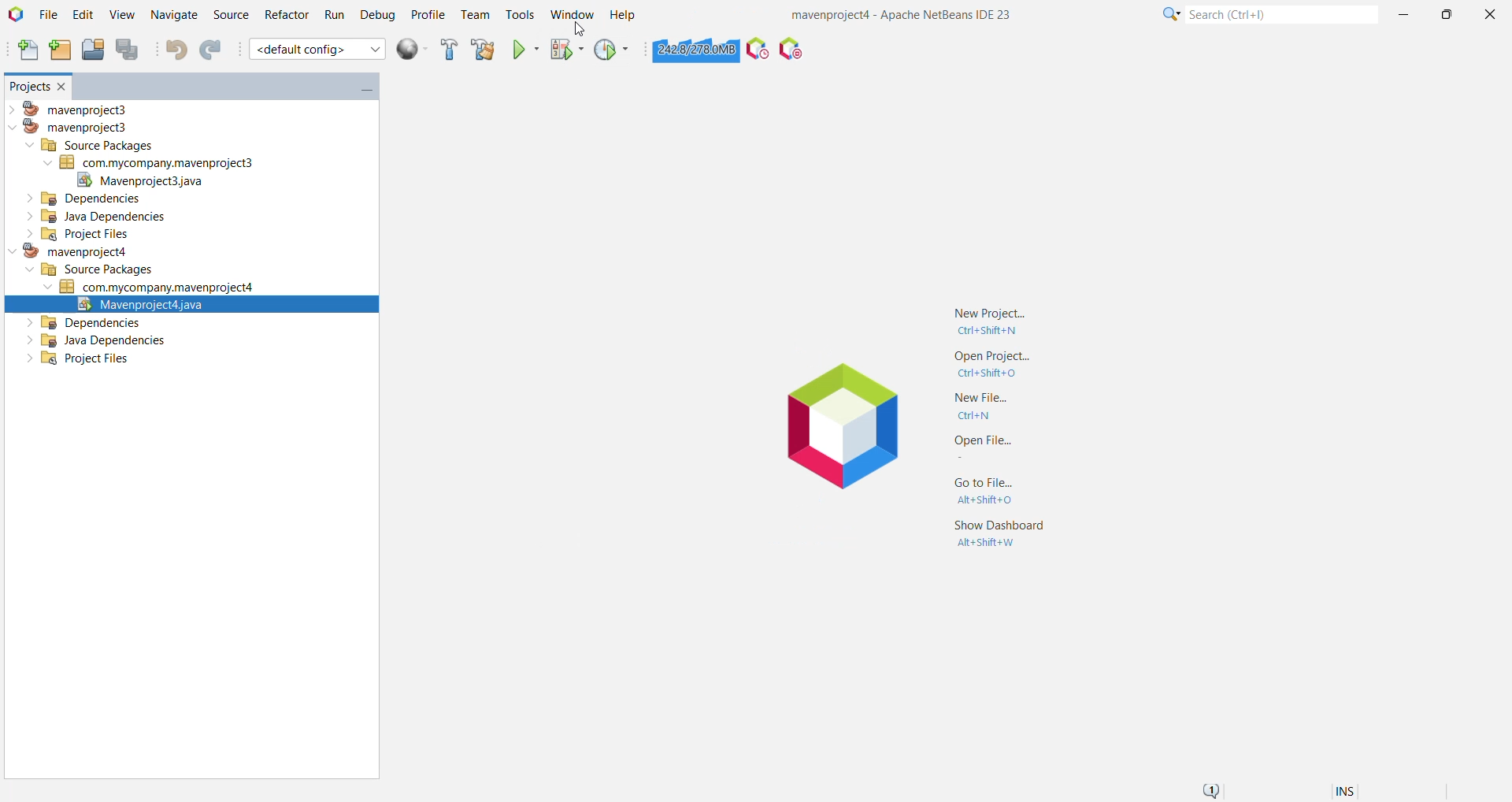  I want to click on Redo, so click(214, 50).